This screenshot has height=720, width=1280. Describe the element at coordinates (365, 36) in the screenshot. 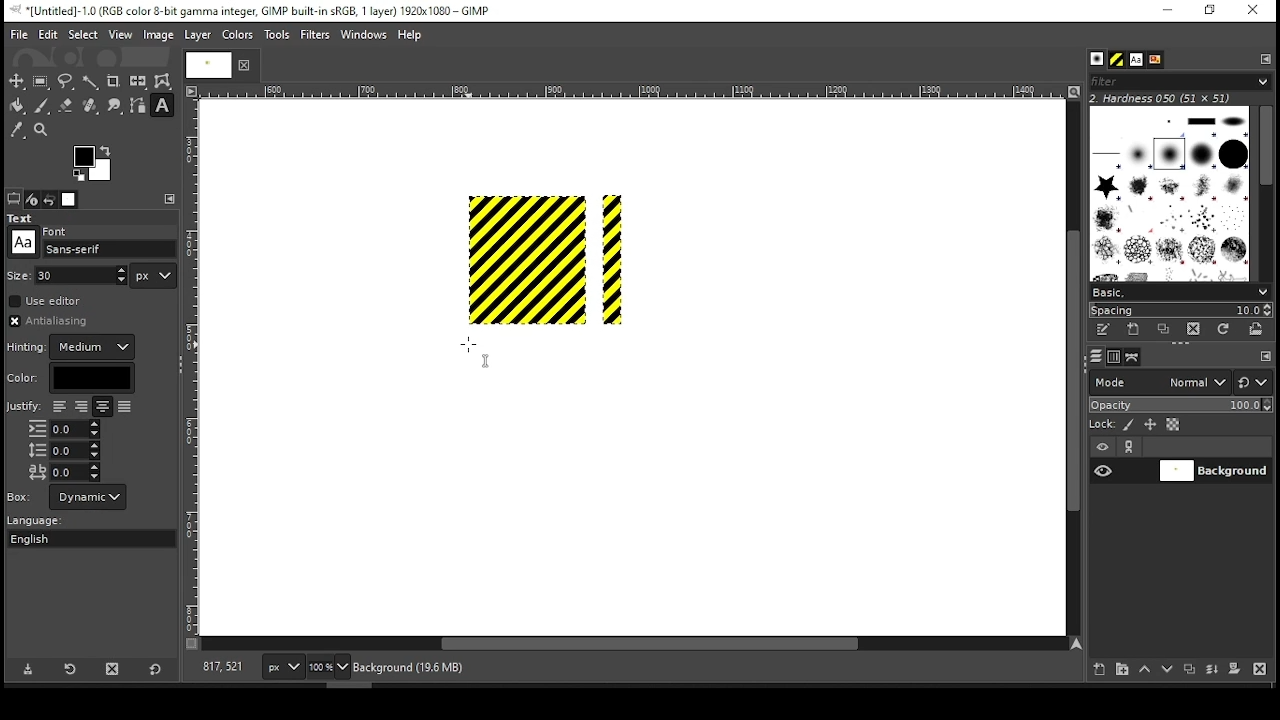

I see `windows` at that location.